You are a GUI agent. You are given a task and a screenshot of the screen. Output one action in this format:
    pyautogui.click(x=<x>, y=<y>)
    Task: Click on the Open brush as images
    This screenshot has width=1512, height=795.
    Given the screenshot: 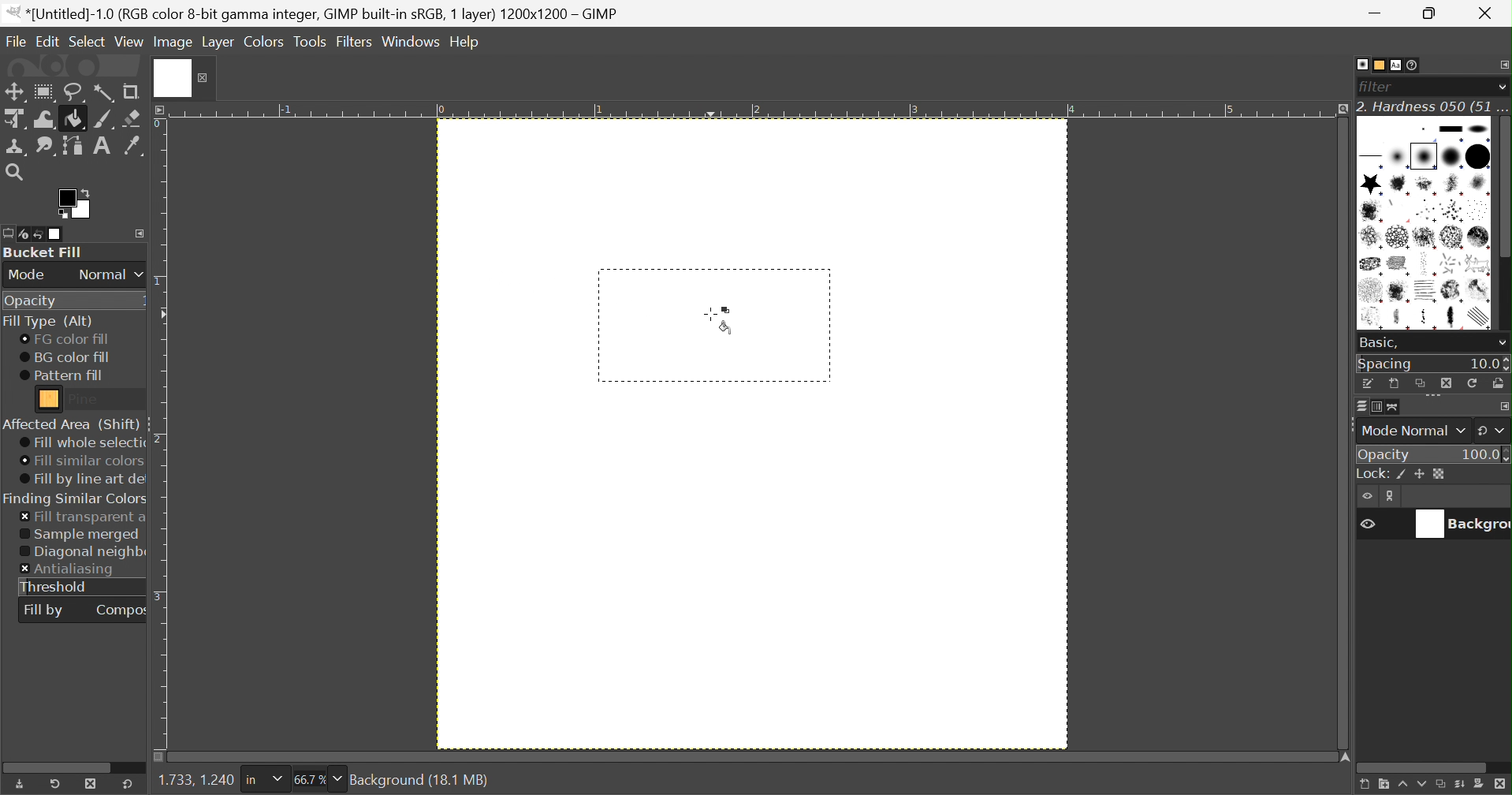 What is the action you would take?
    pyautogui.click(x=1498, y=383)
    